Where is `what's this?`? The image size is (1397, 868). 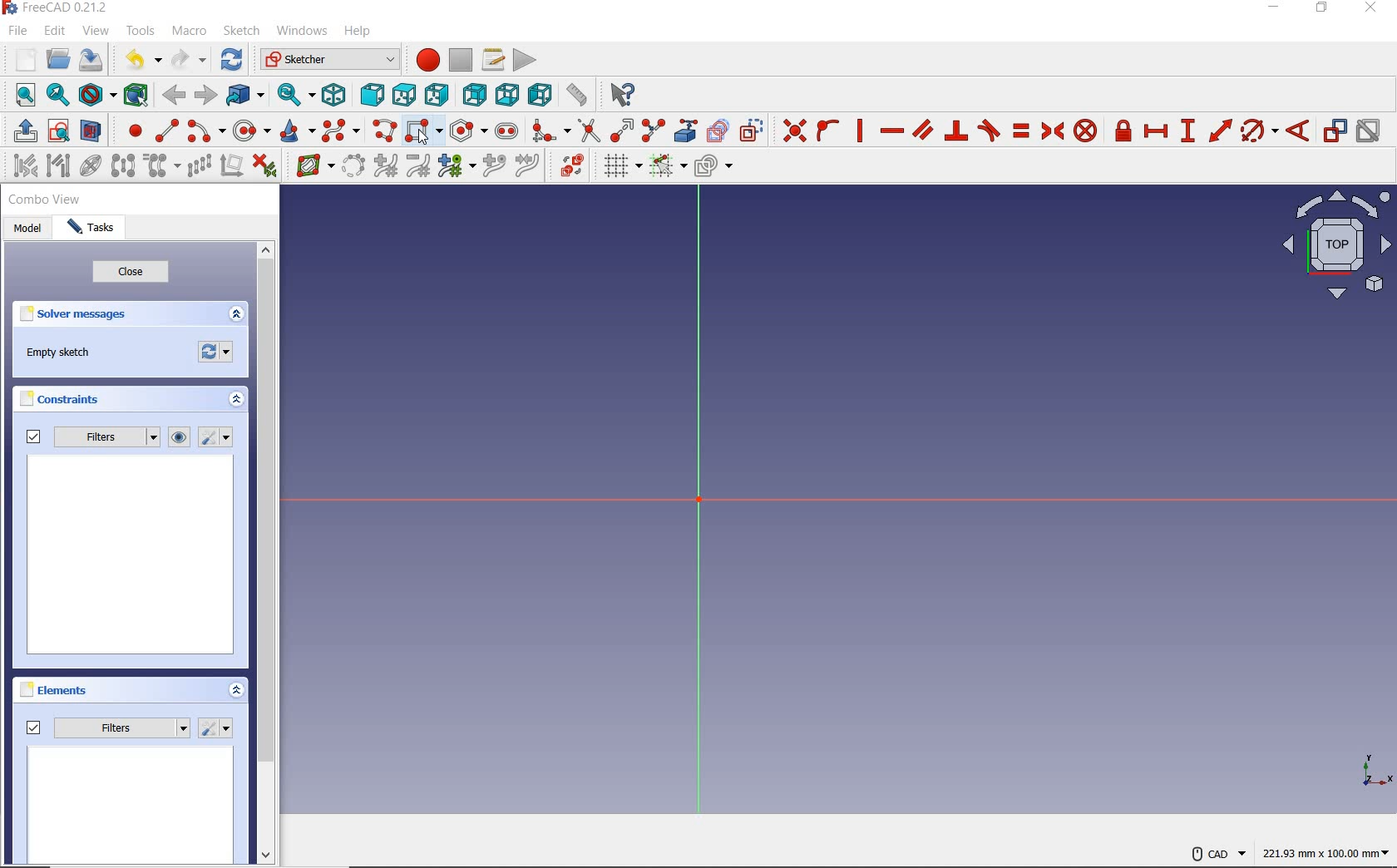
what's this? is located at coordinates (618, 96).